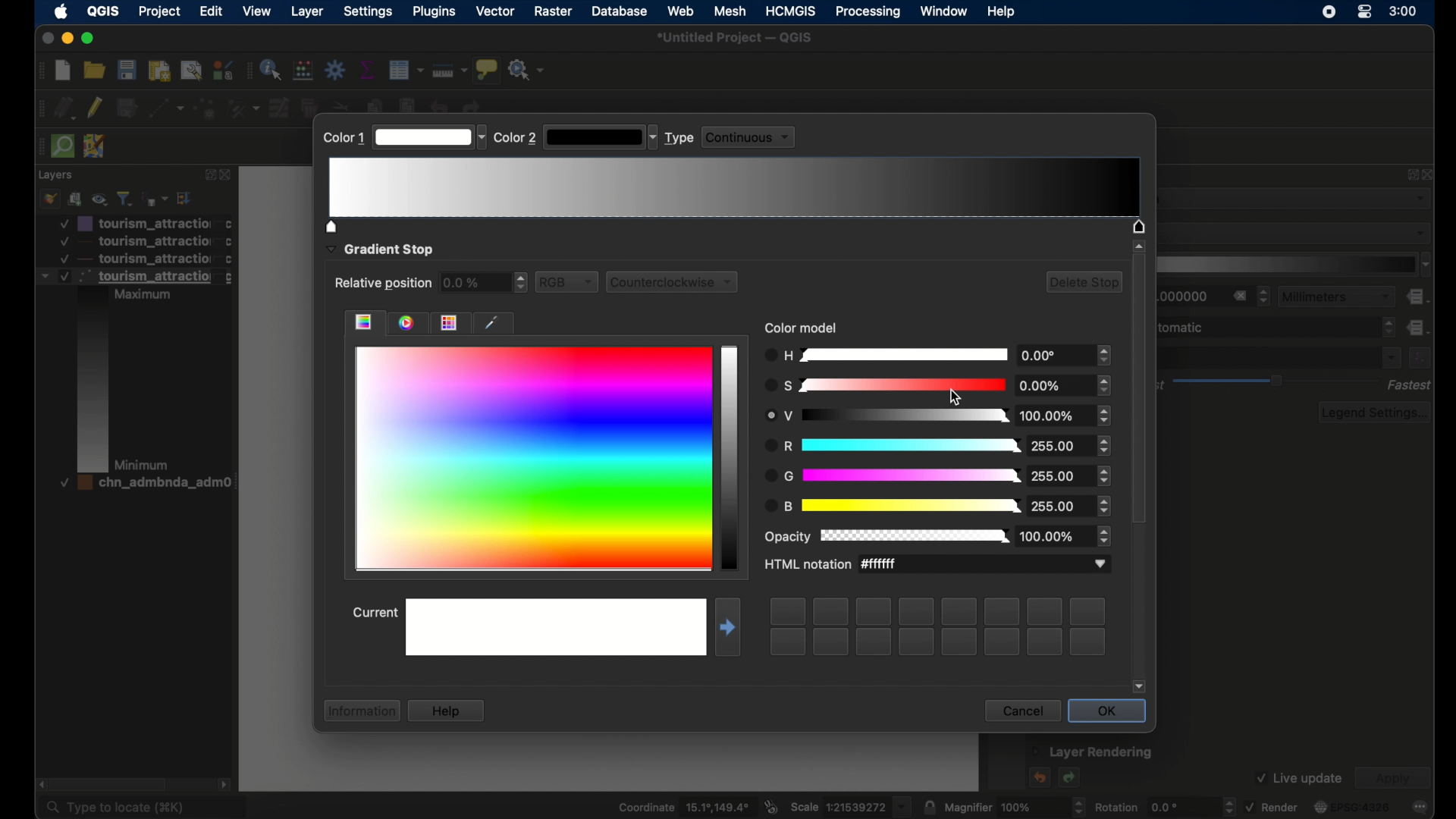 Image resolution: width=1456 pixels, height=819 pixels. Describe the element at coordinates (336, 71) in the screenshot. I see `toolbox` at that location.